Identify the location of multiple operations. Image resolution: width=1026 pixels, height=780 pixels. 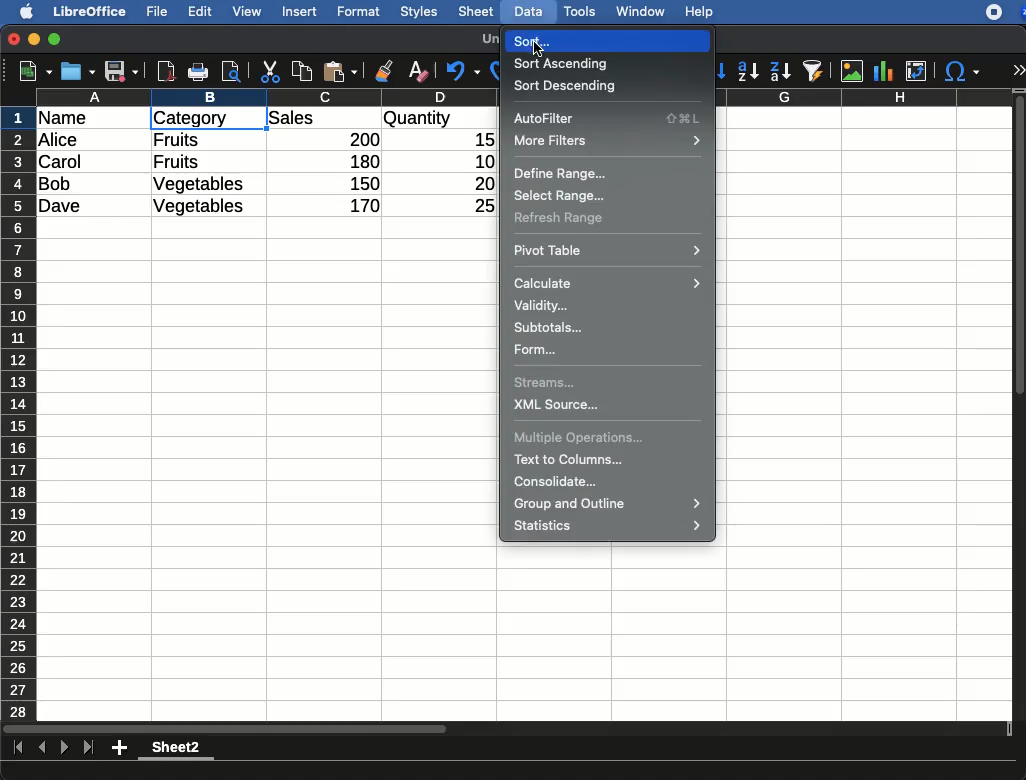
(580, 438).